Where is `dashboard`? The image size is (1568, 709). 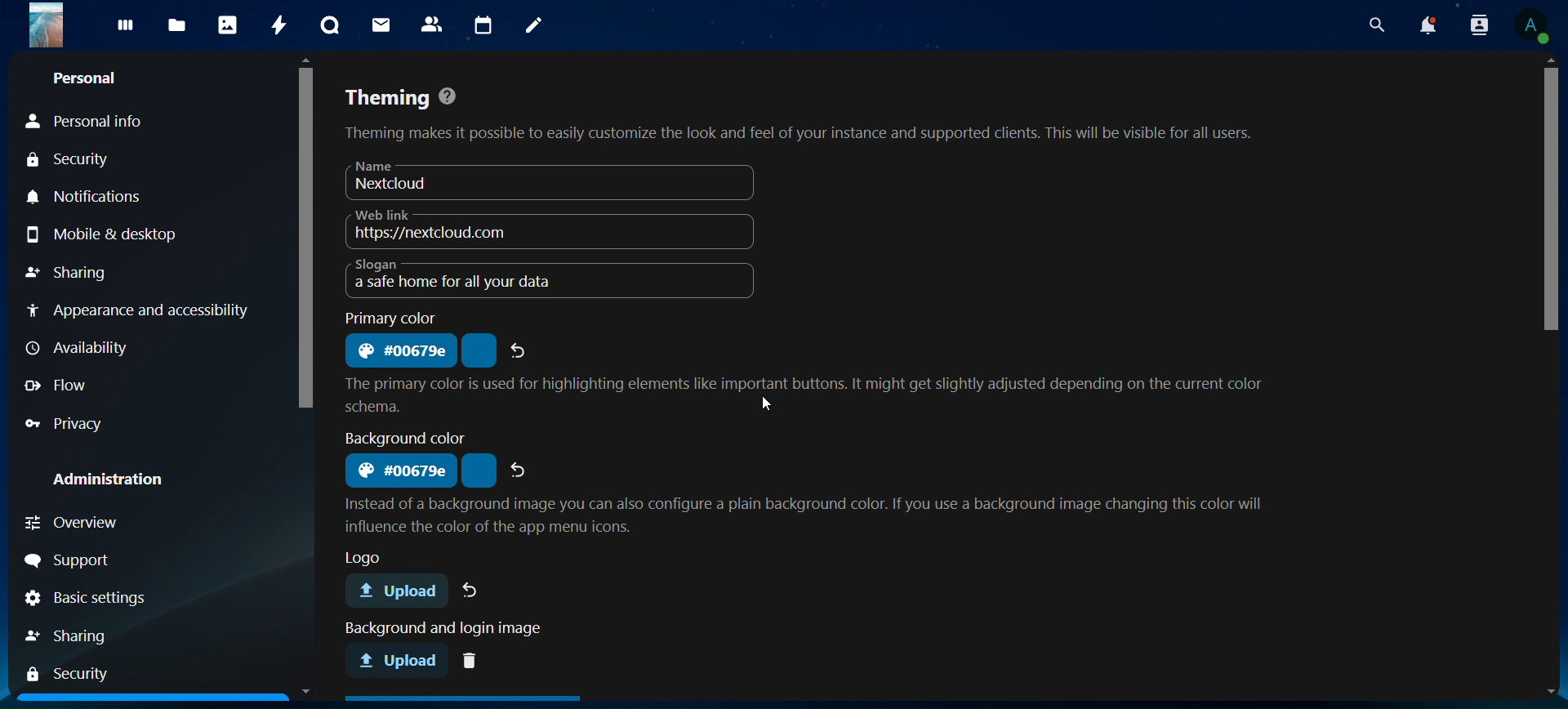
dashboard is located at coordinates (126, 30).